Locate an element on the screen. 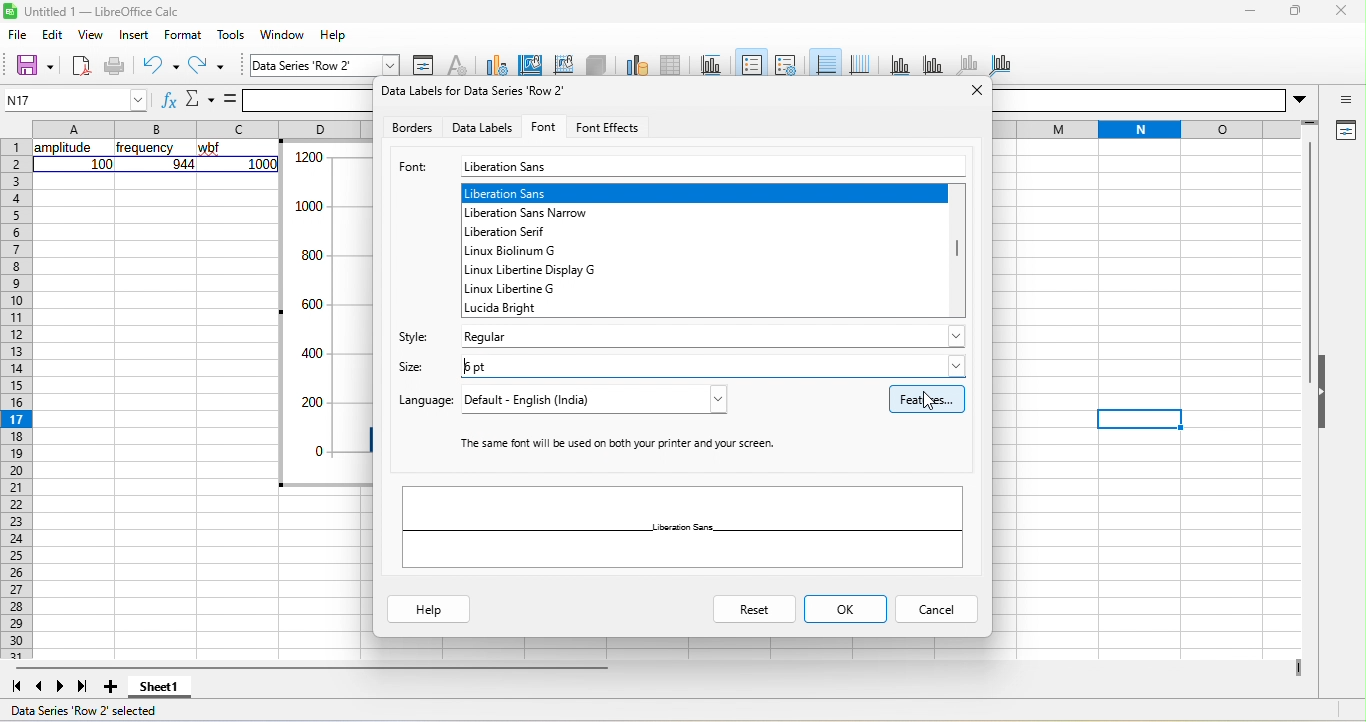 The image size is (1366, 722). data series row 2 is located at coordinates (307, 62).